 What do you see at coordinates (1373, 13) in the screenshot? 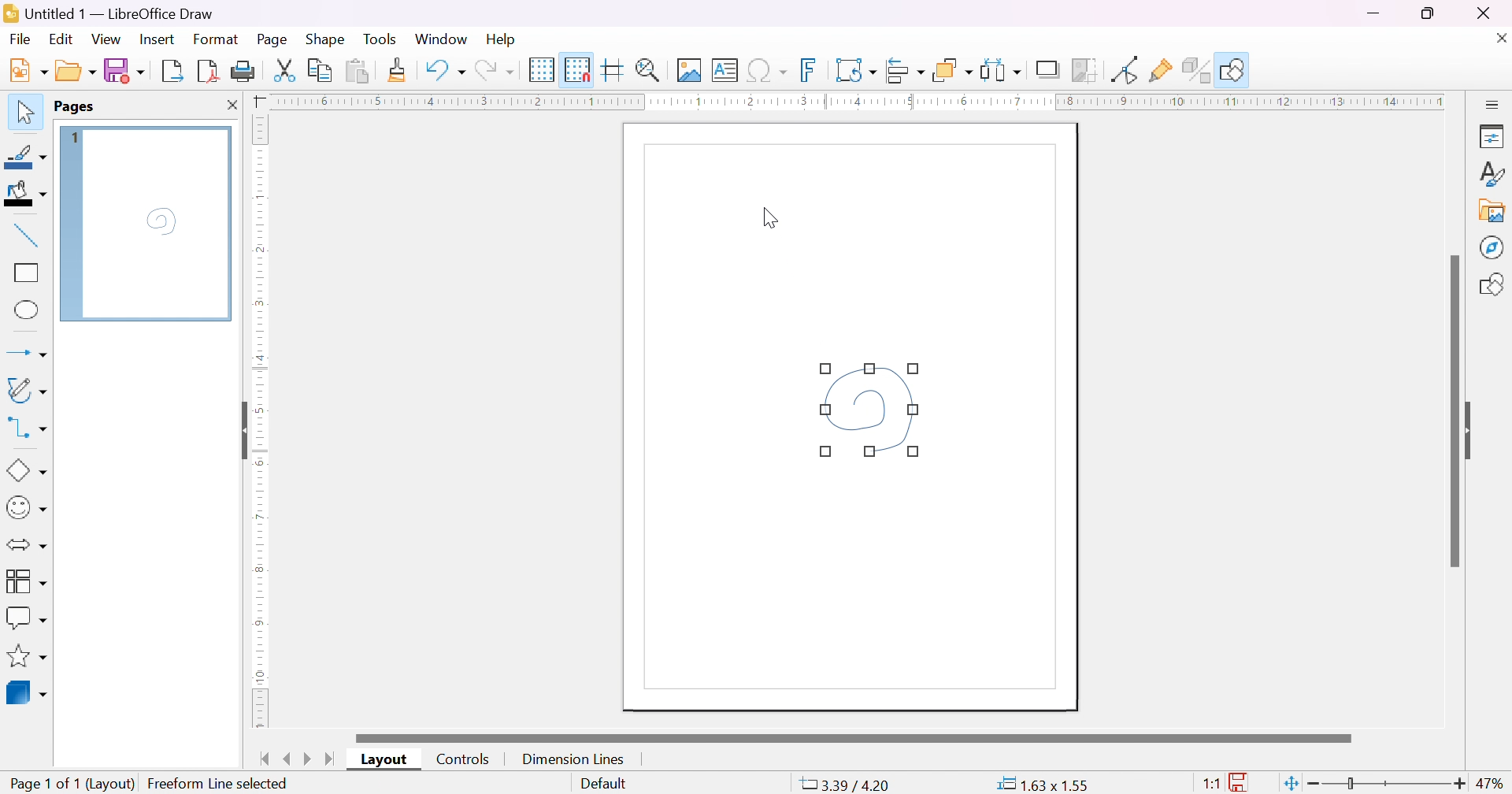
I see `minimize` at bounding box center [1373, 13].